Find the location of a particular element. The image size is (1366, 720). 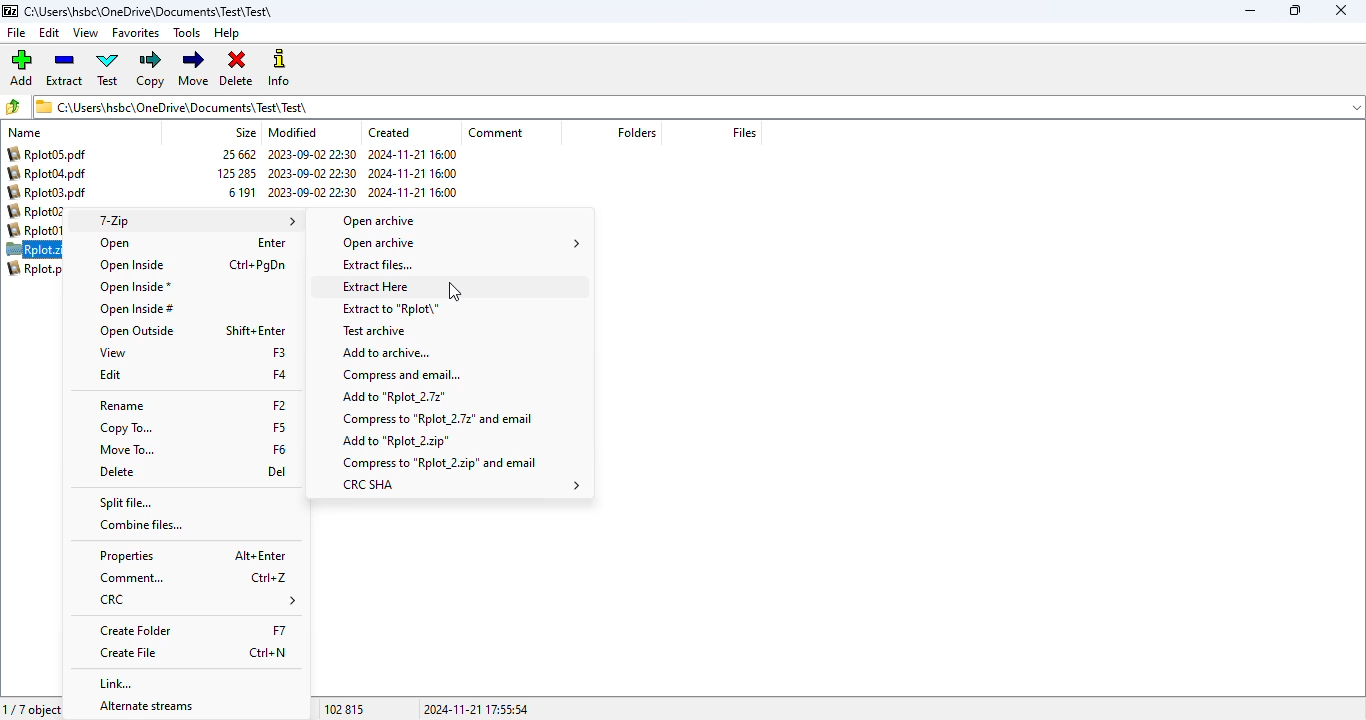

test is located at coordinates (108, 68).